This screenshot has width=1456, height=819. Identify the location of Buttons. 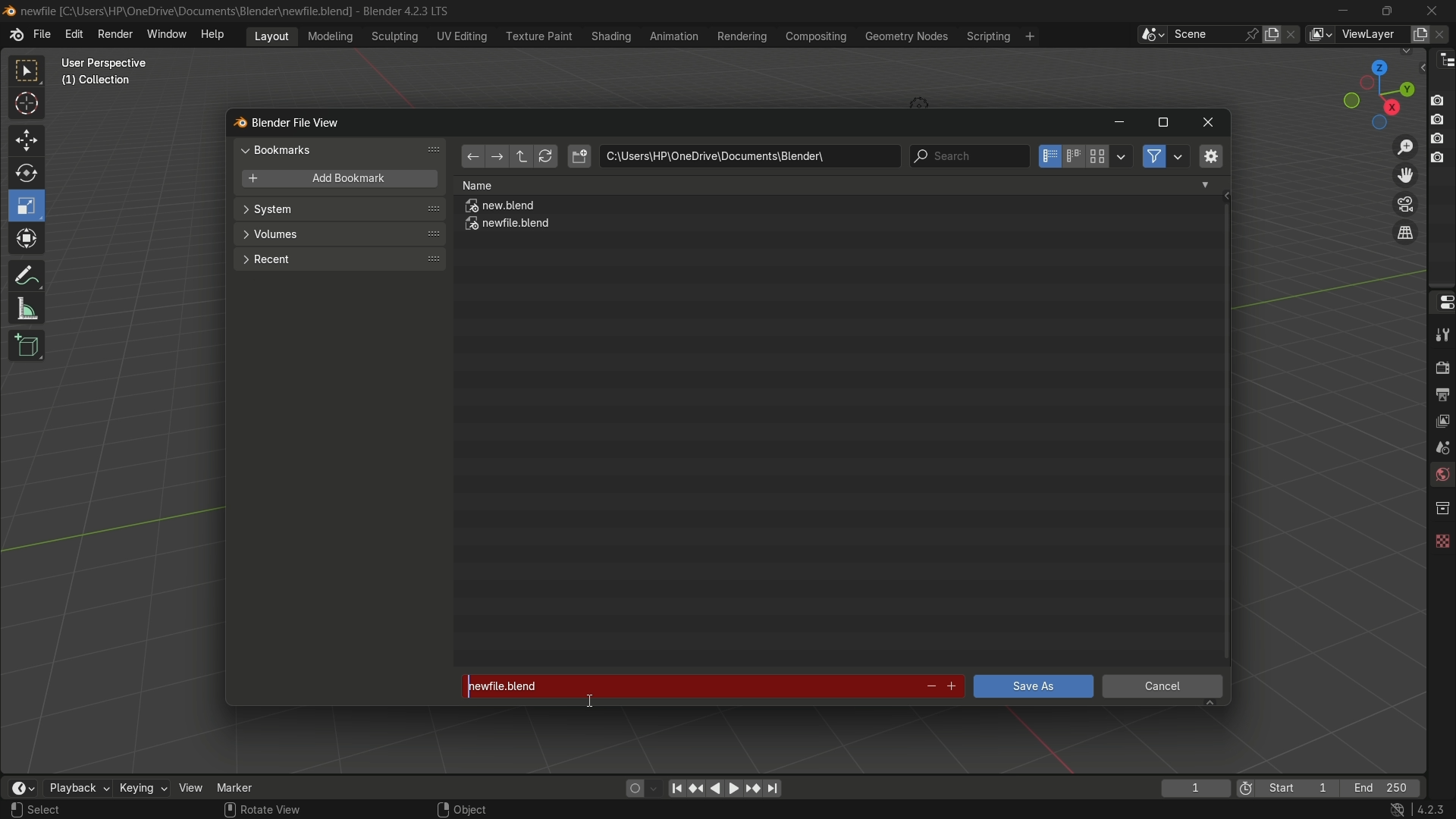
(1443, 127).